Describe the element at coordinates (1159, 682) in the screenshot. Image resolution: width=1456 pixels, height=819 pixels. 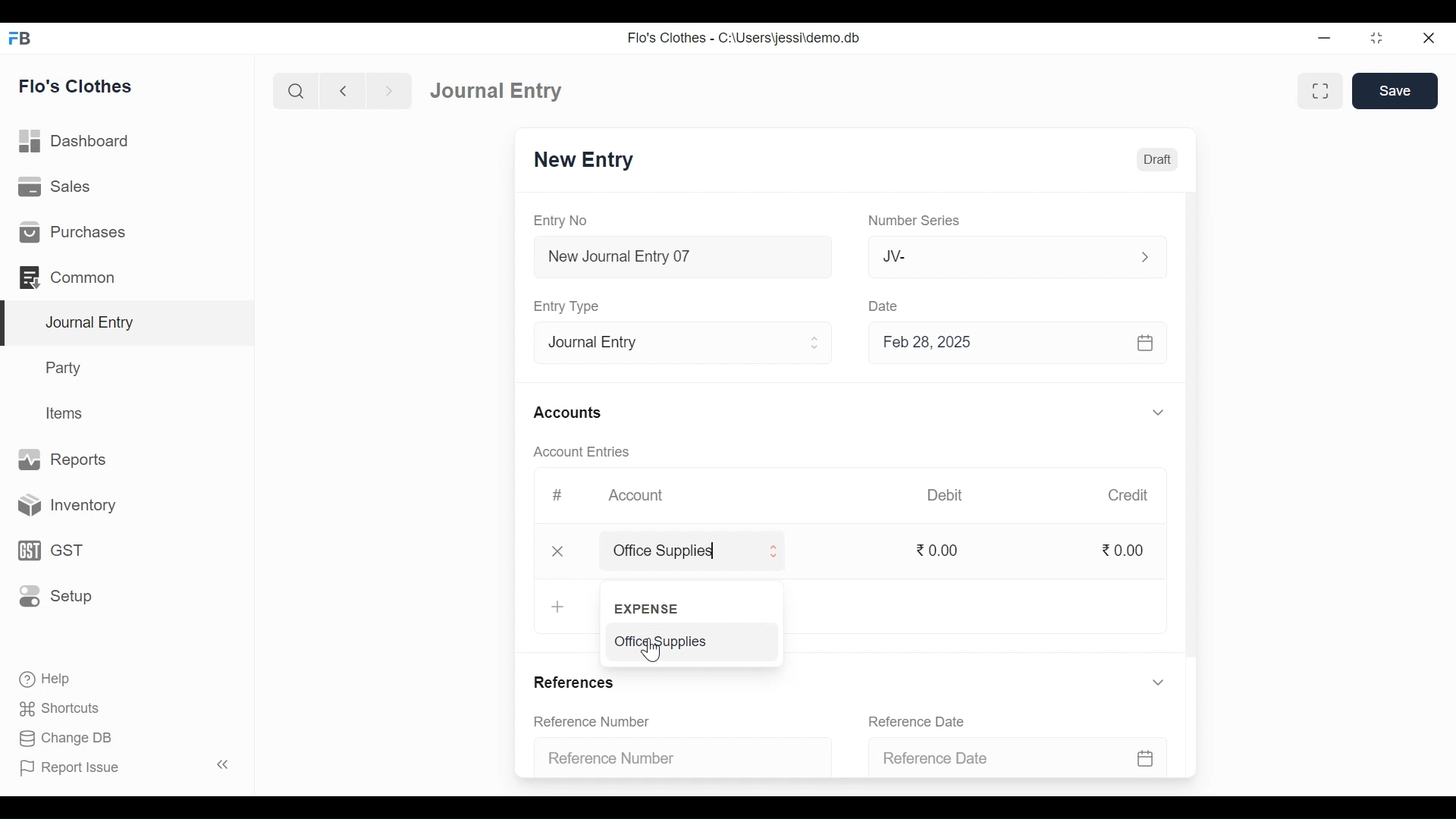
I see `Expand` at that location.